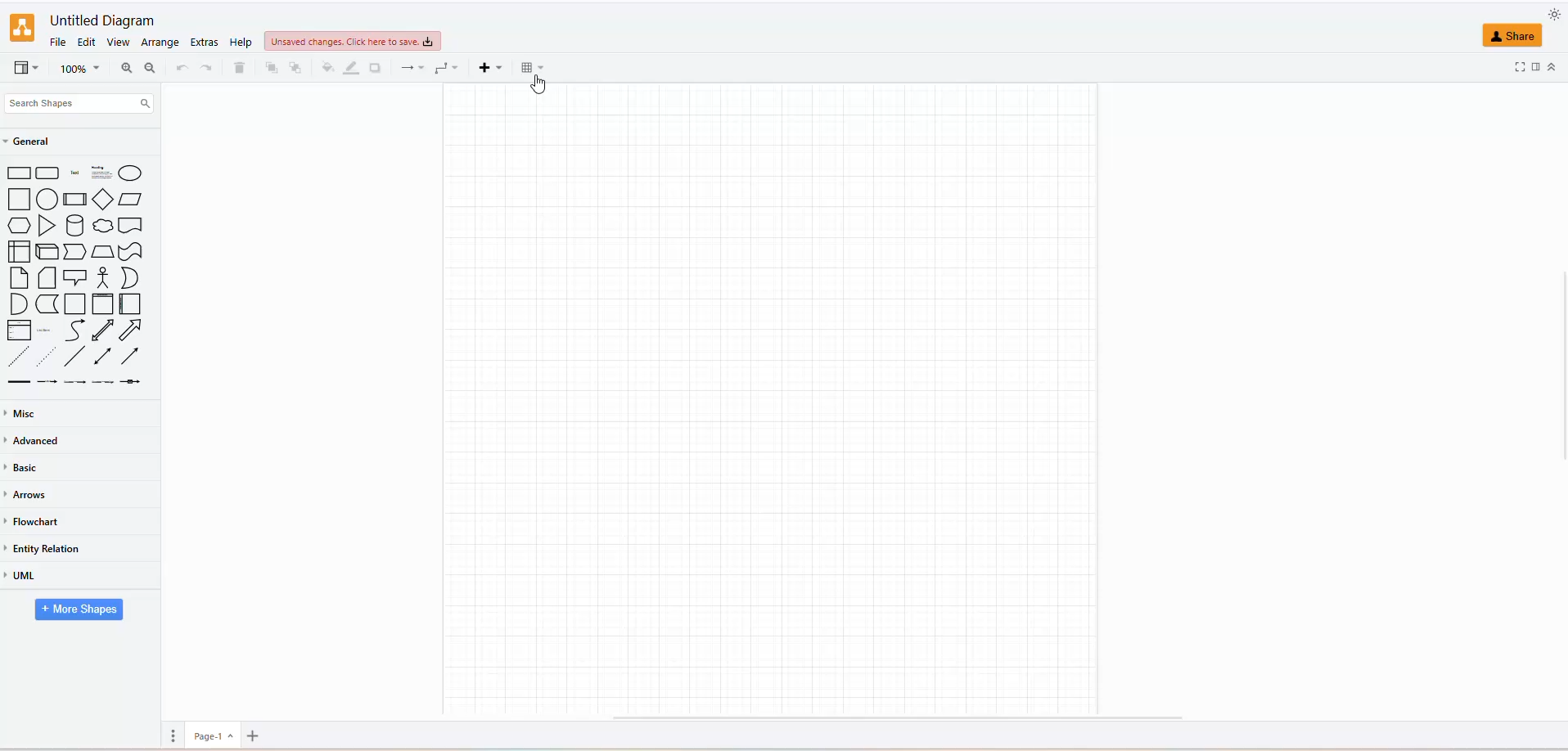 The height and width of the screenshot is (751, 1568). Describe the element at coordinates (1558, 372) in the screenshot. I see `slide bar` at that location.